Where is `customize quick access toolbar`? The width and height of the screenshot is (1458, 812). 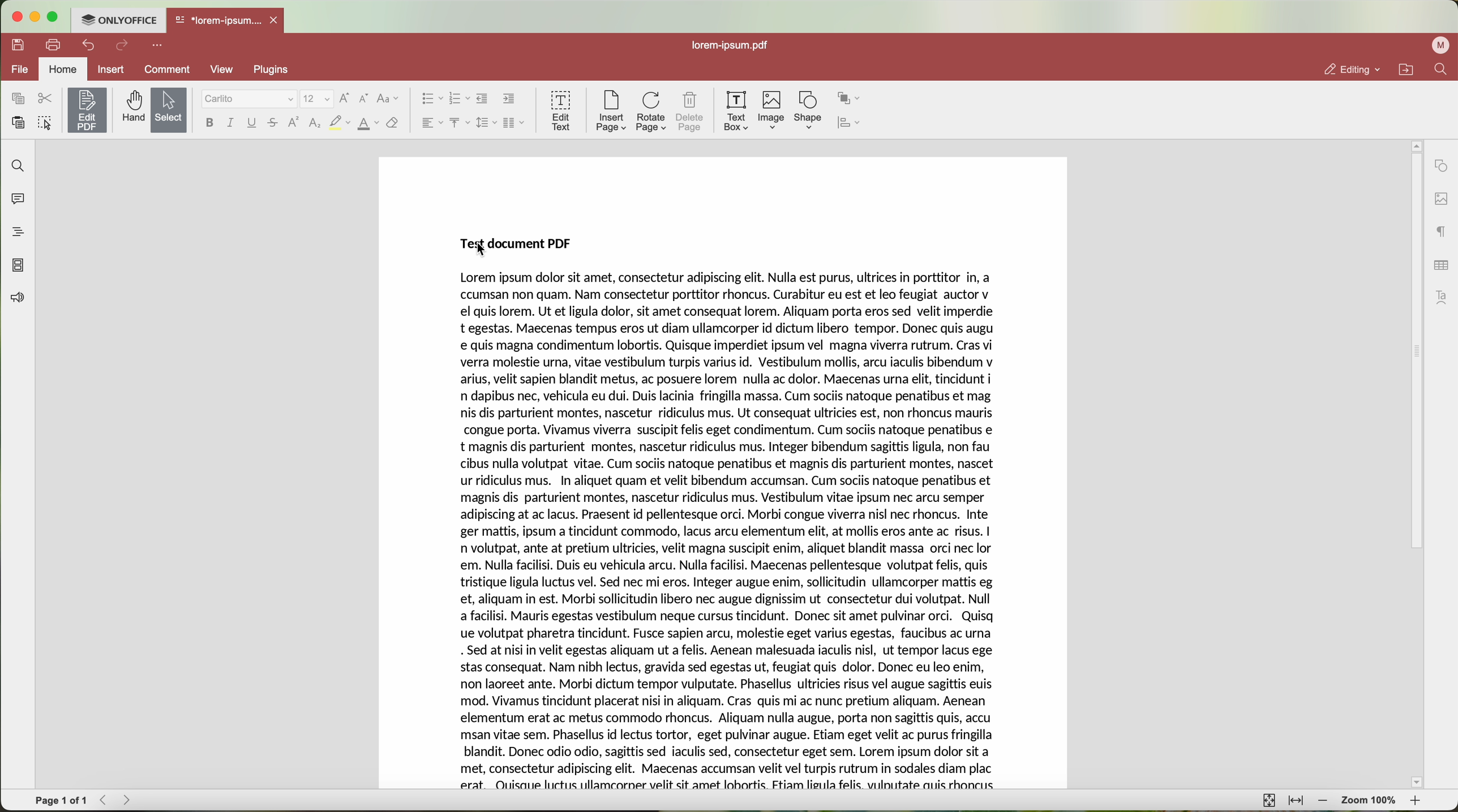
customize quick access toolbar is located at coordinates (158, 46).